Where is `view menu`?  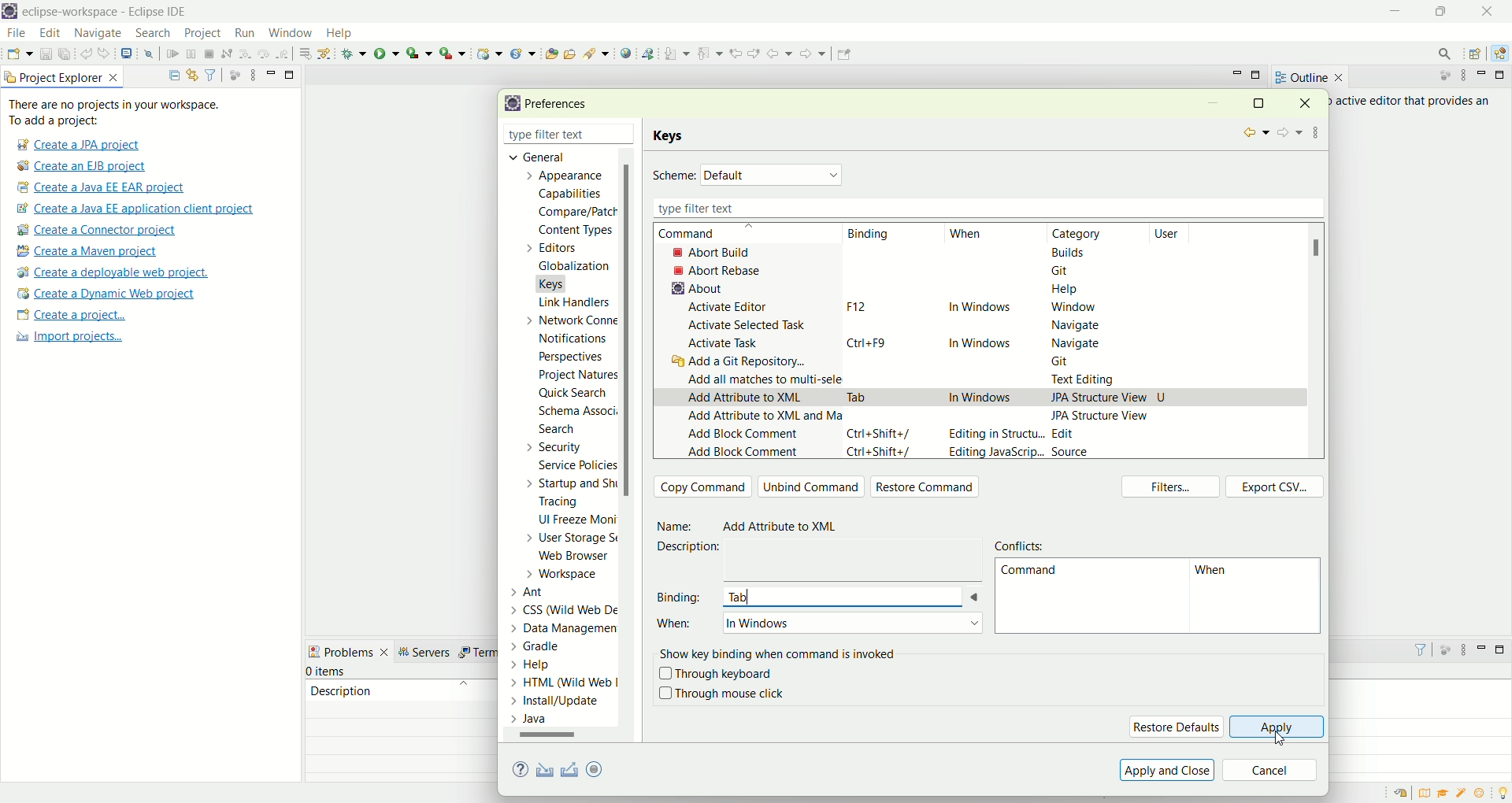 view menu is located at coordinates (251, 74).